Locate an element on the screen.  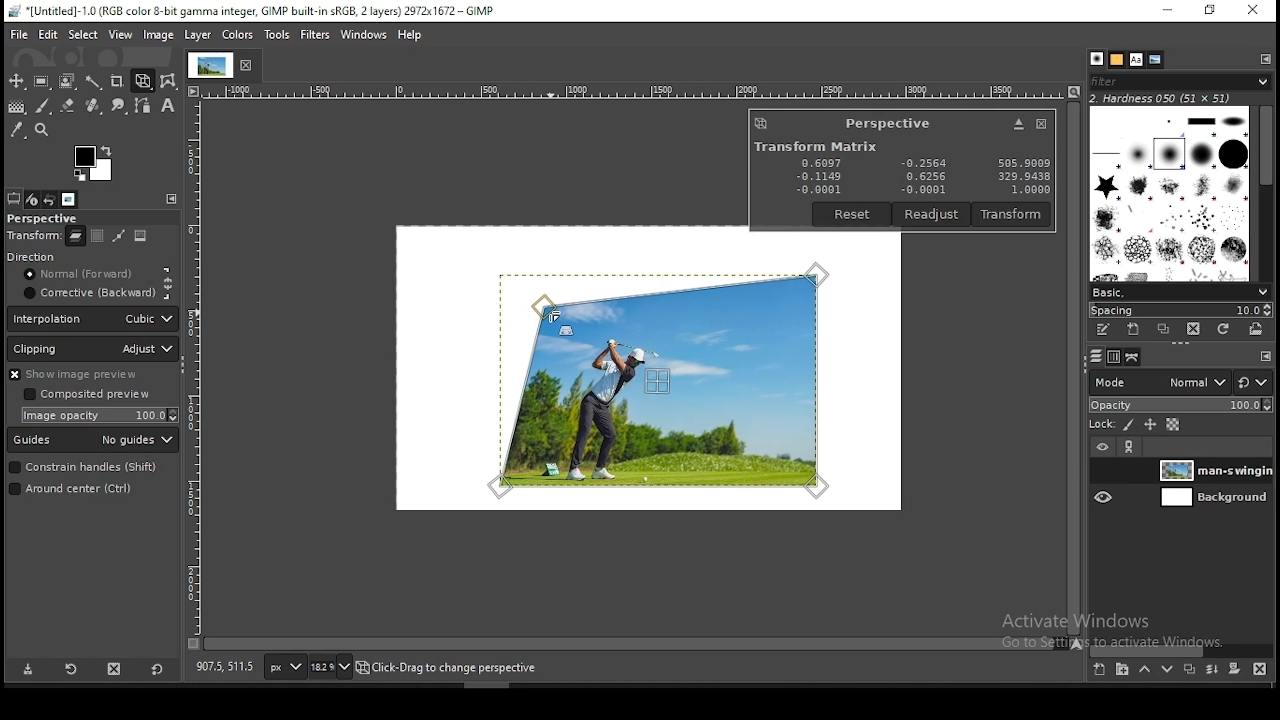
constraint handles (shift) is located at coordinates (84, 468).